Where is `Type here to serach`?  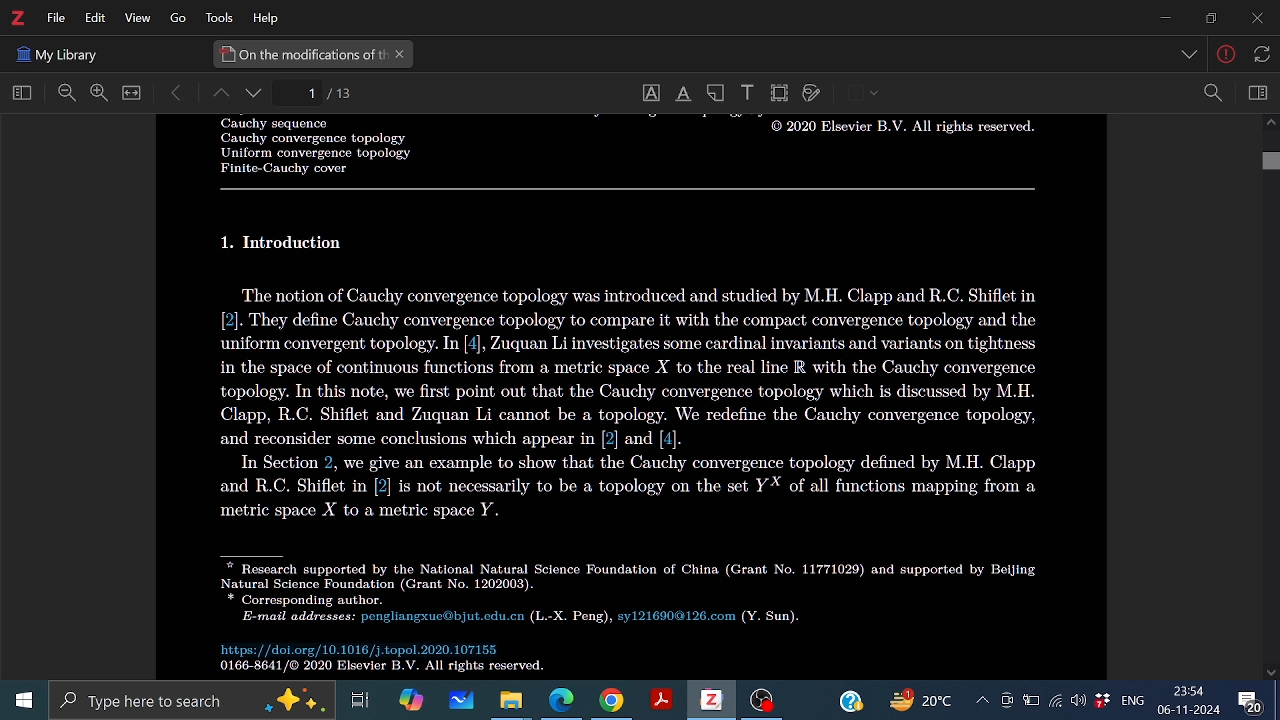
Type here to serach is located at coordinates (190, 701).